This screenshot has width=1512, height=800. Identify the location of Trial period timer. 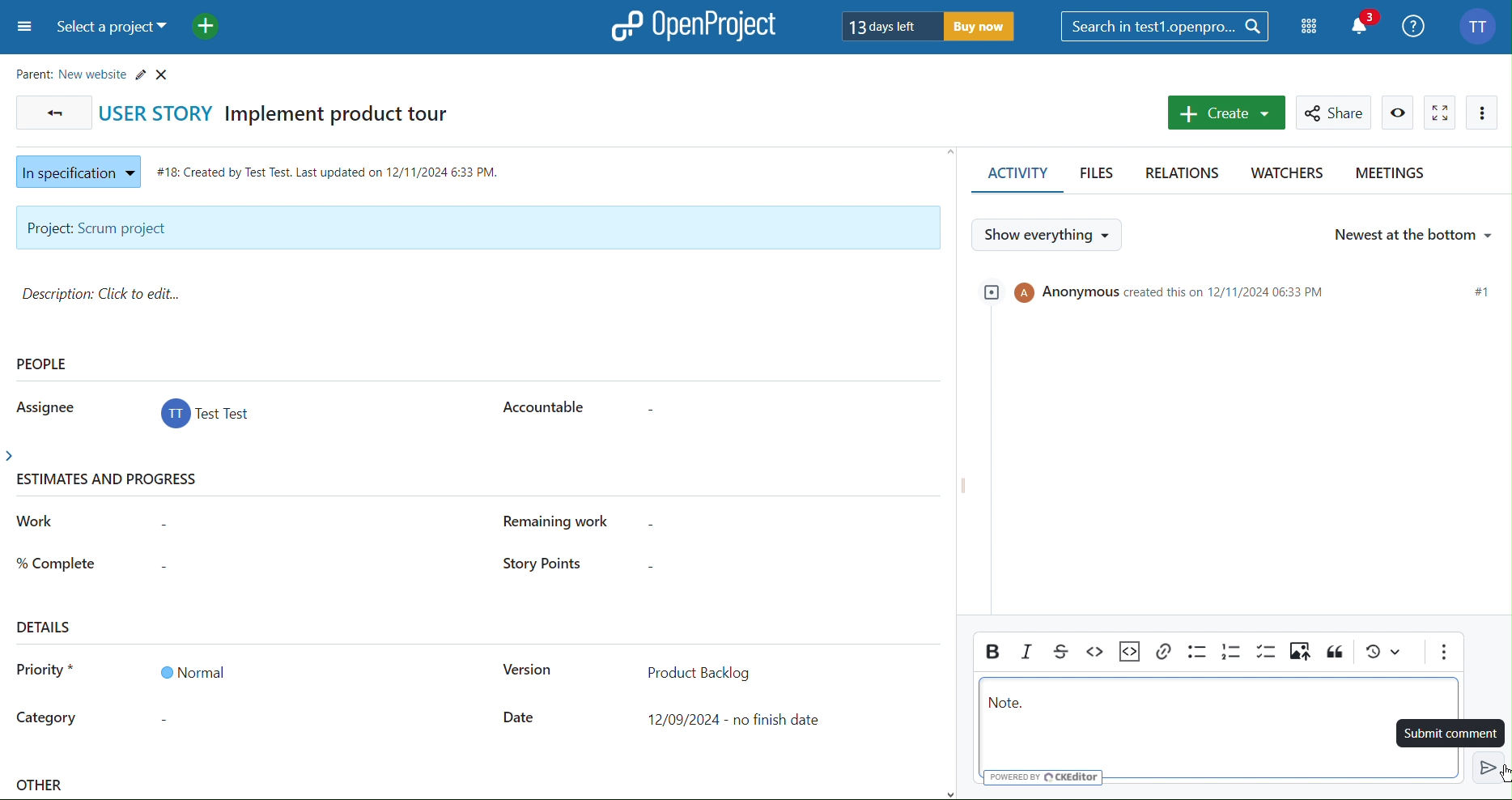
(929, 25).